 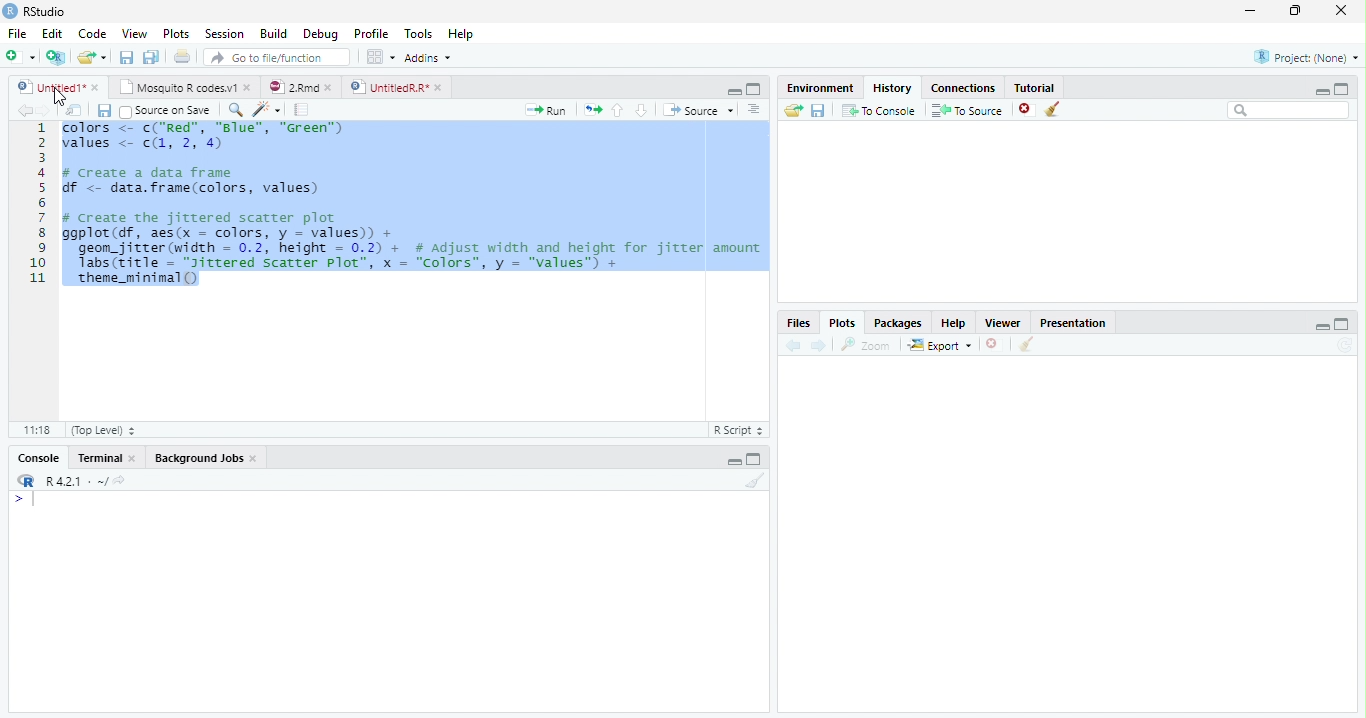 What do you see at coordinates (224, 33) in the screenshot?
I see `Session` at bounding box center [224, 33].